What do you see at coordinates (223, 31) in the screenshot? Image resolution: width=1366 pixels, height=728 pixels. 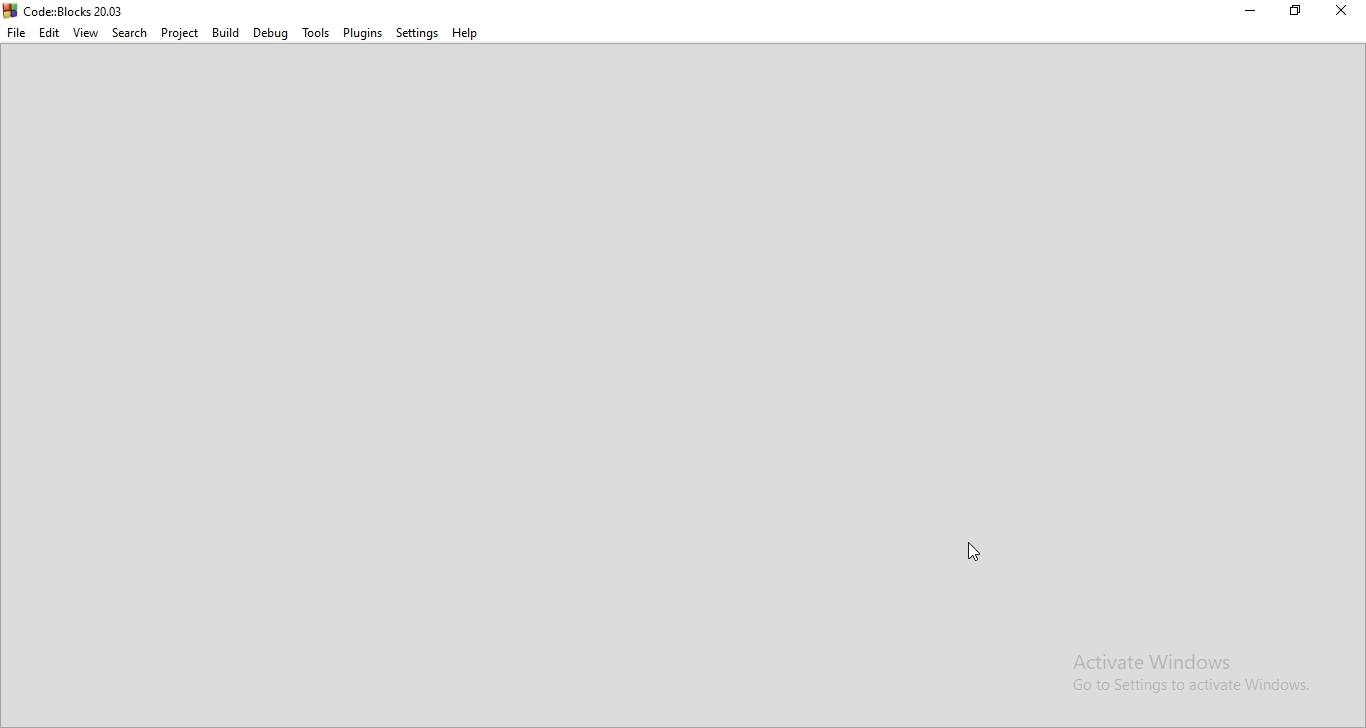 I see `Build ` at bounding box center [223, 31].